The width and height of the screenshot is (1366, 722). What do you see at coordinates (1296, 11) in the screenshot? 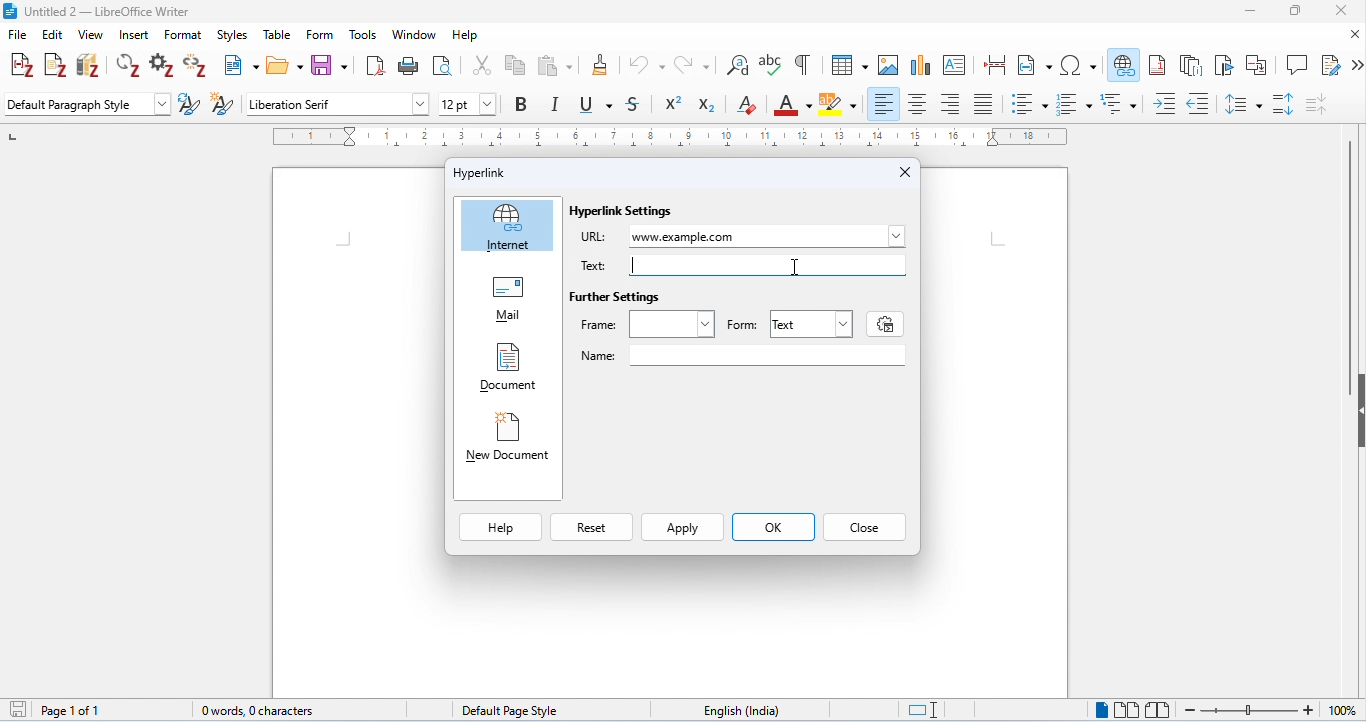
I see `maximize` at bounding box center [1296, 11].